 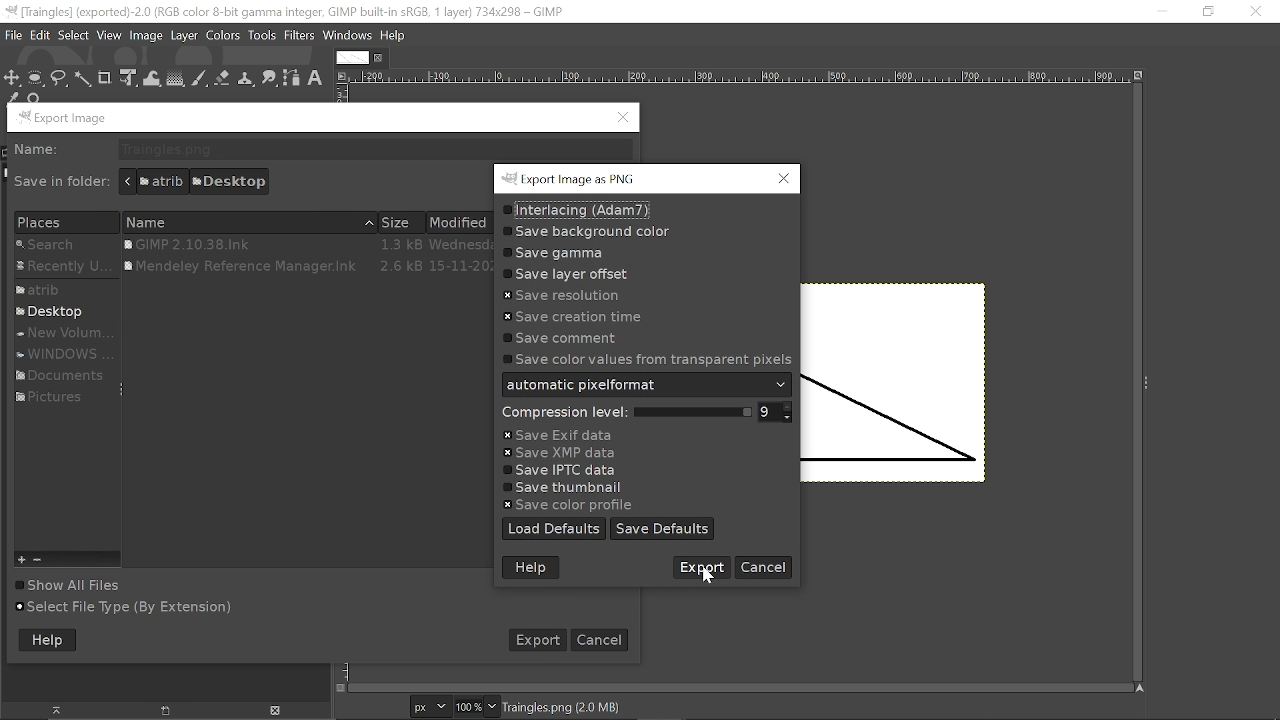 I want to click on Crop tool, so click(x=104, y=79).